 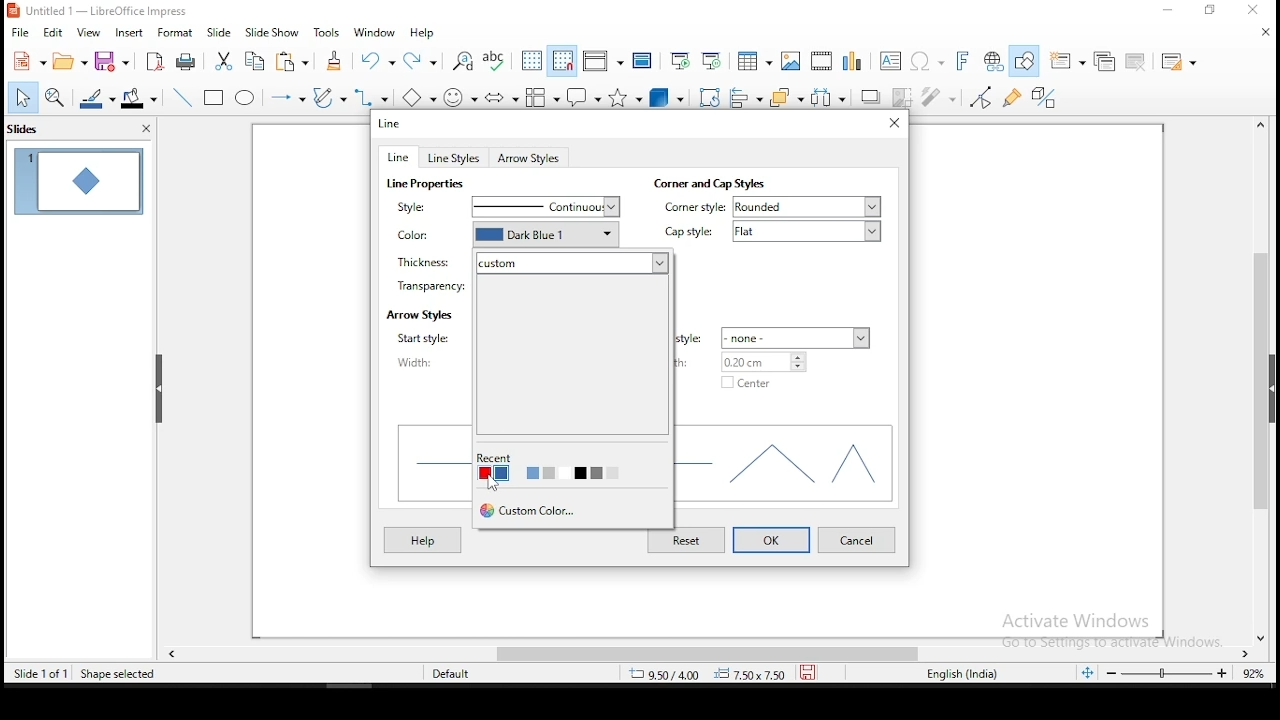 What do you see at coordinates (858, 540) in the screenshot?
I see `cancel` at bounding box center [858, 540].